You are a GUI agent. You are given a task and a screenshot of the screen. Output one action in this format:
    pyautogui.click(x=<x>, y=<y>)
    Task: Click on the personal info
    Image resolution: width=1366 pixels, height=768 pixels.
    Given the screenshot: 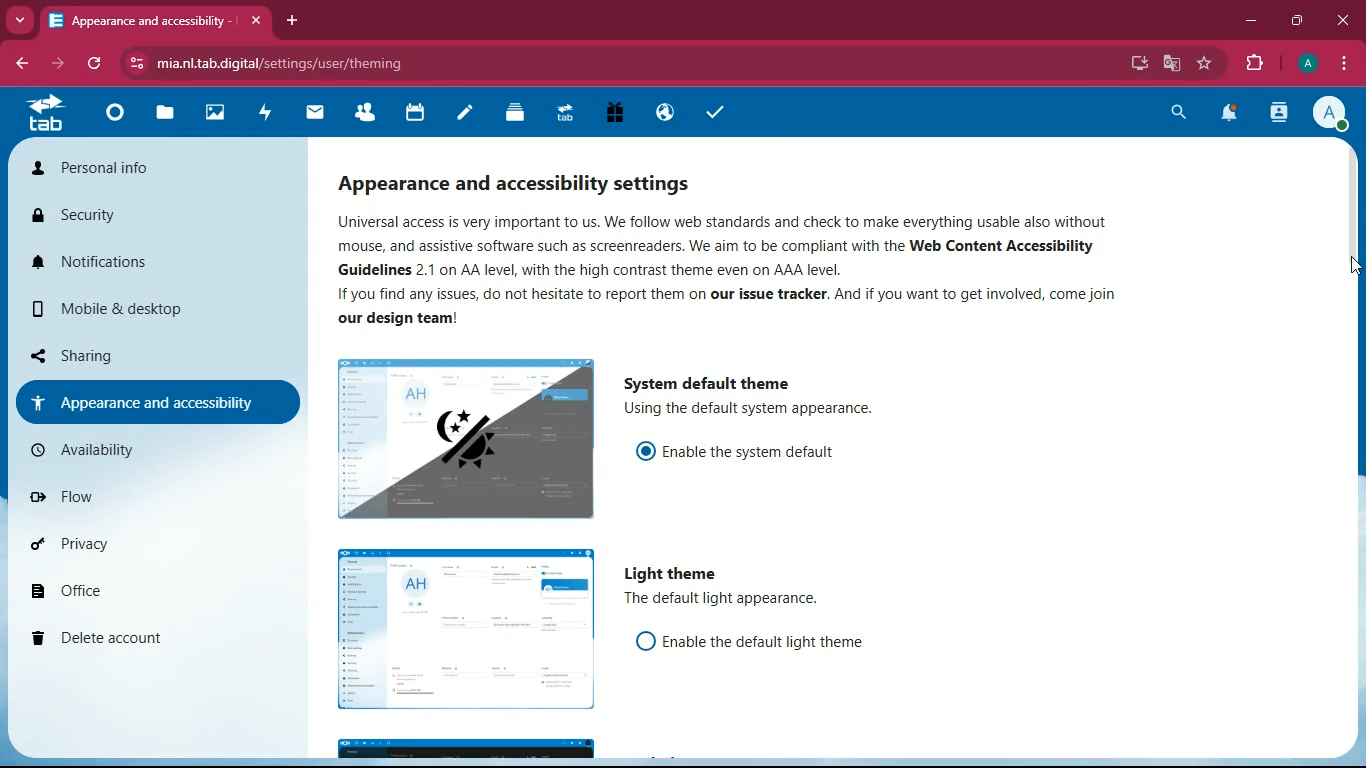 What is the action you would take?
    pyautogui.click(x=130, y=166)
    